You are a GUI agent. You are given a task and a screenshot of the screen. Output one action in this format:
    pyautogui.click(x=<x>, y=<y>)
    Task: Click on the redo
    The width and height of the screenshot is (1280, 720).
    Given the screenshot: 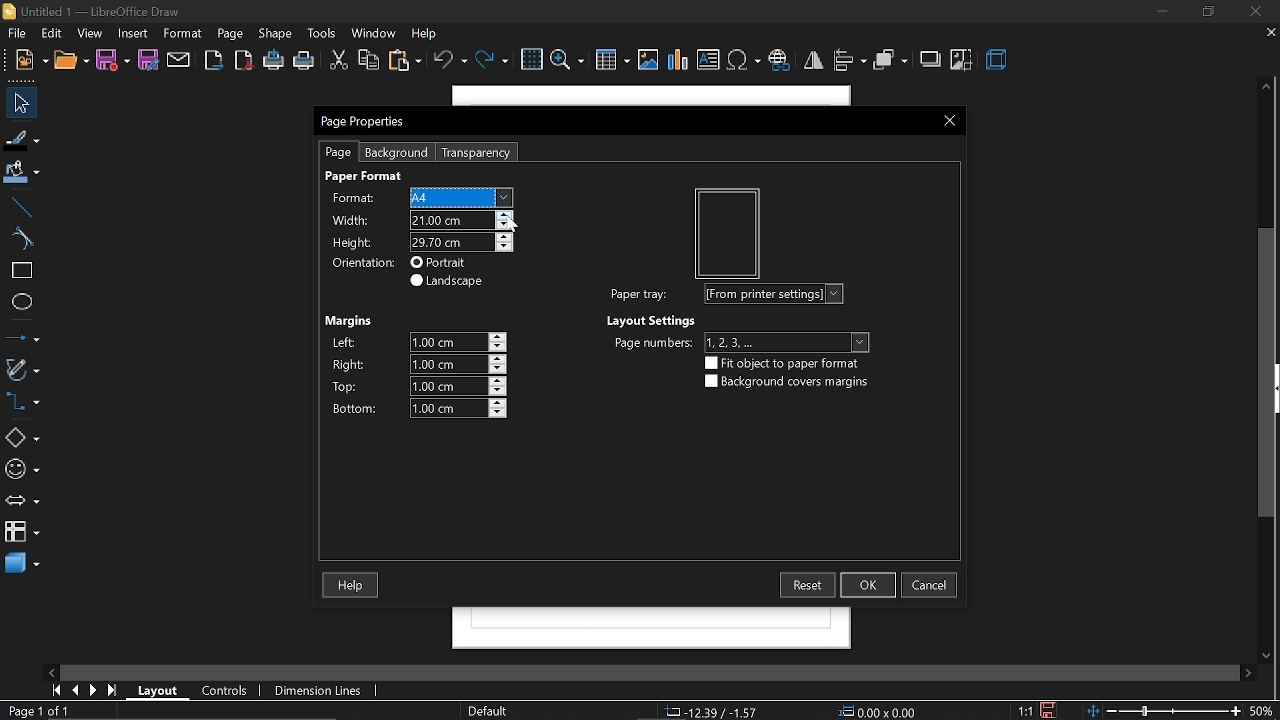 What is the action you would take?
    pyautogui.click(x=494, y=62)
    